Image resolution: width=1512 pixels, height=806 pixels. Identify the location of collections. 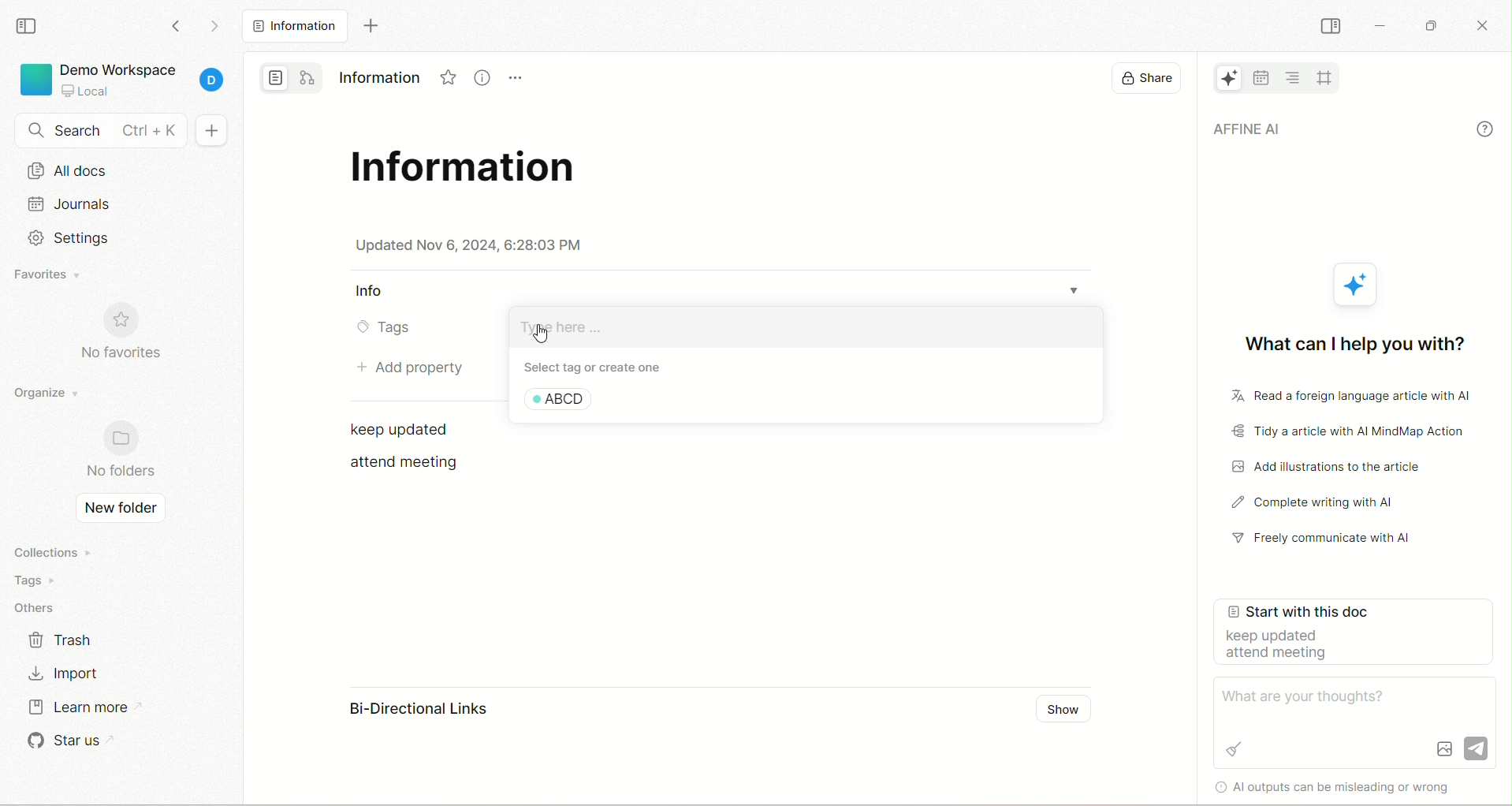
(49, 550).